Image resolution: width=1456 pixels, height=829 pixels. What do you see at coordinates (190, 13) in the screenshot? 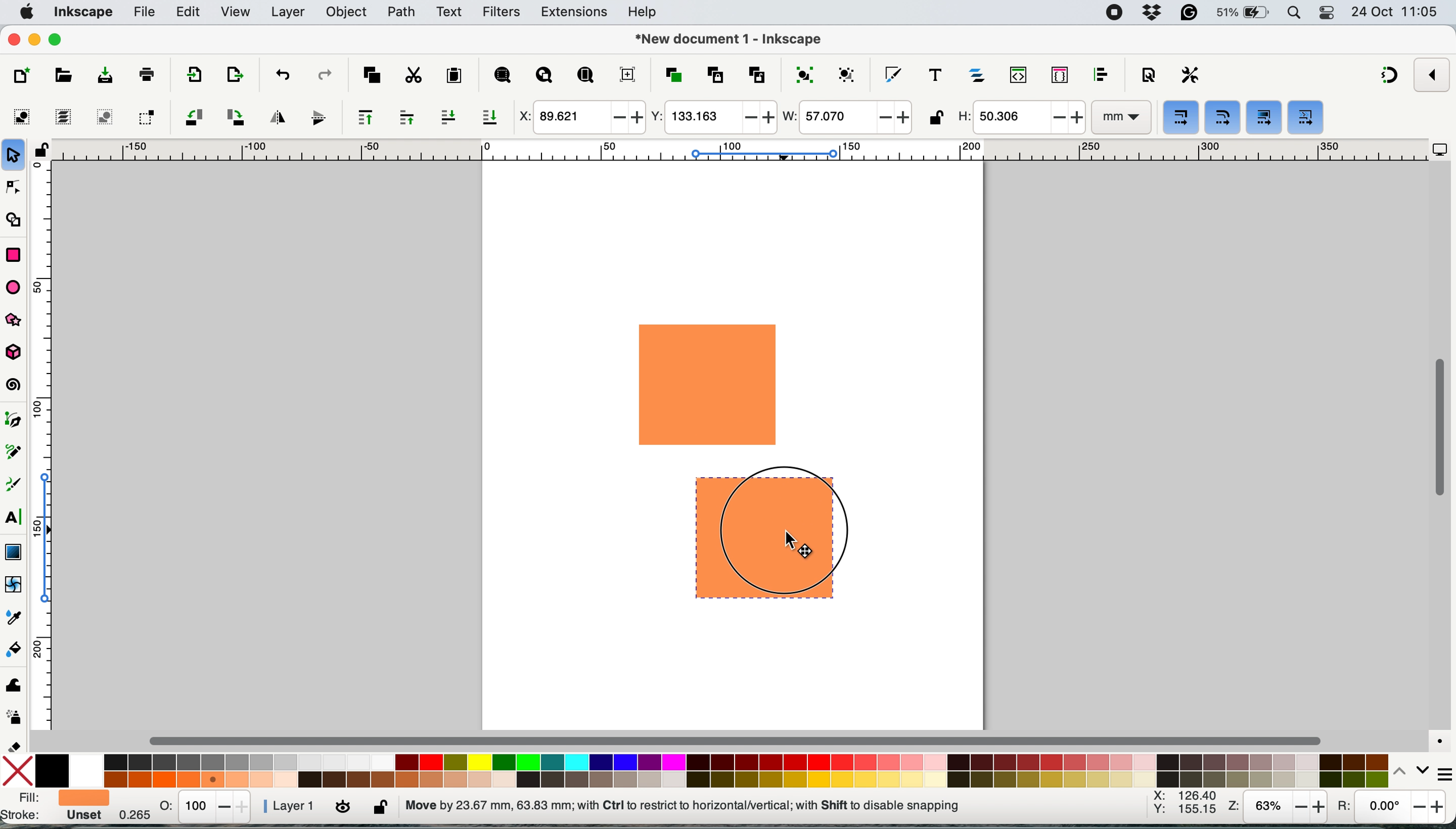
I see `edit` at bounding box center [190, 13].